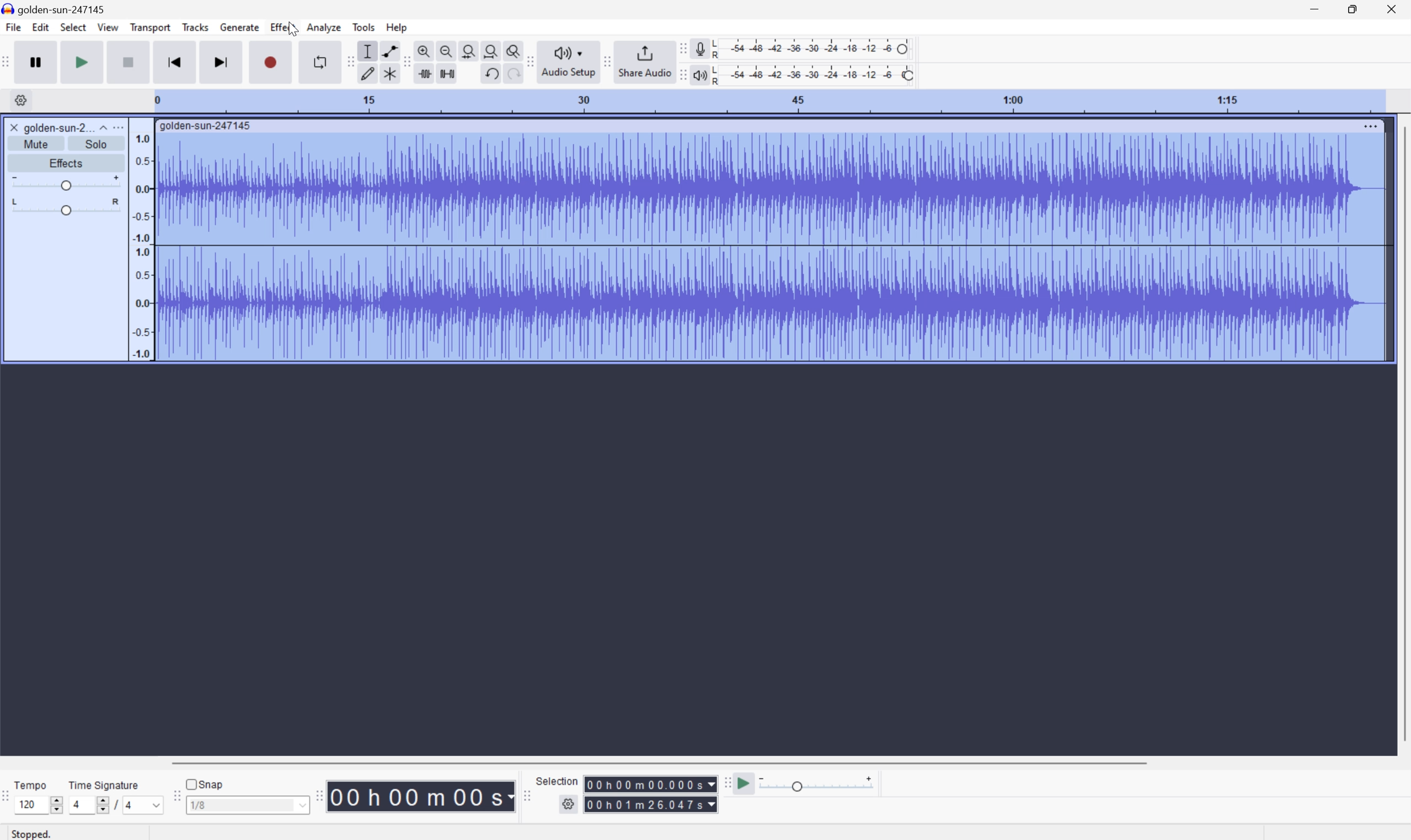  I want to click on 120 slider, so click(41, 804).